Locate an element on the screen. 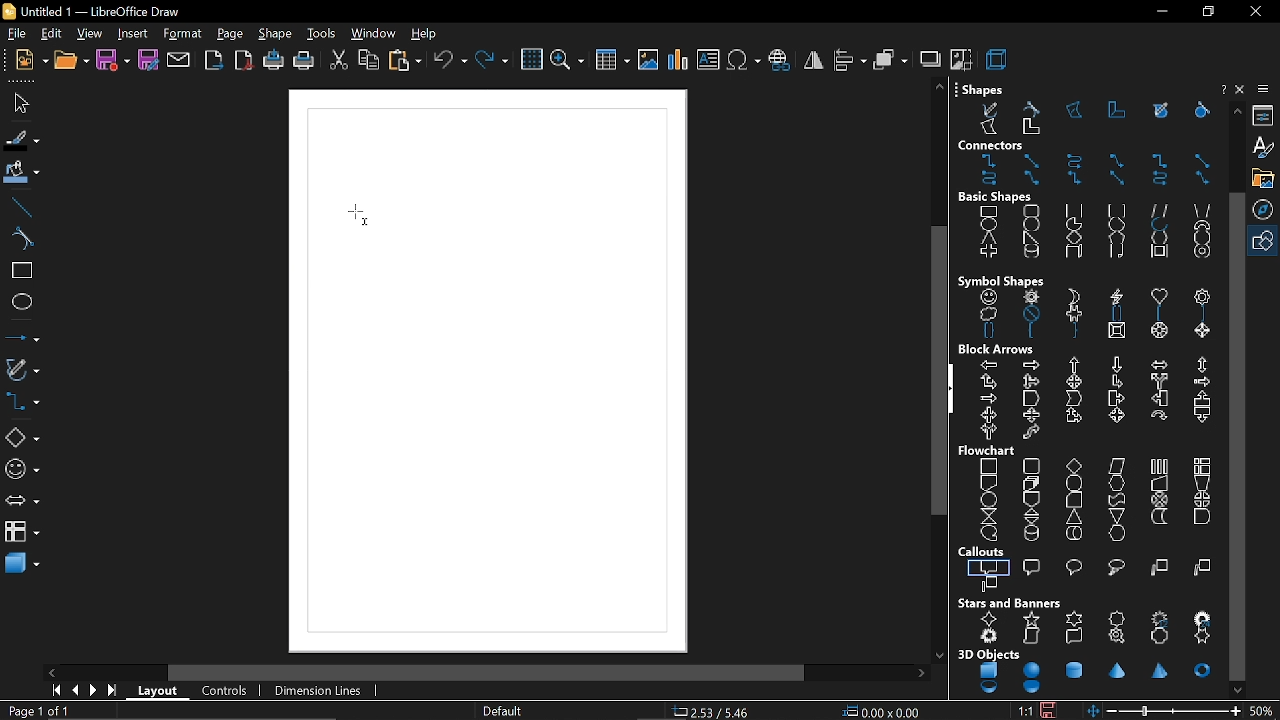 The image size is (1280, 720). 4 way arrow is located at coordinates (1074, 382).